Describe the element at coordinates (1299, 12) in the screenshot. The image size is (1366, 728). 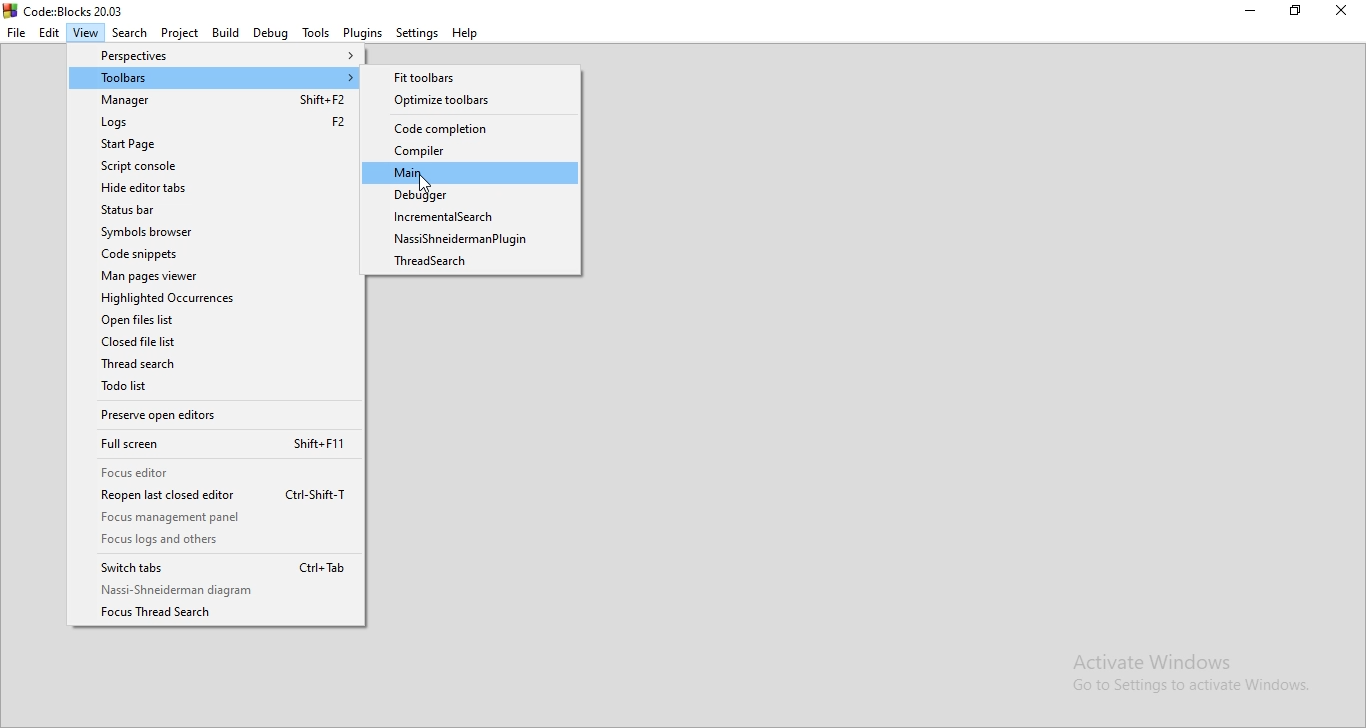
I see `Maximize` at that location.